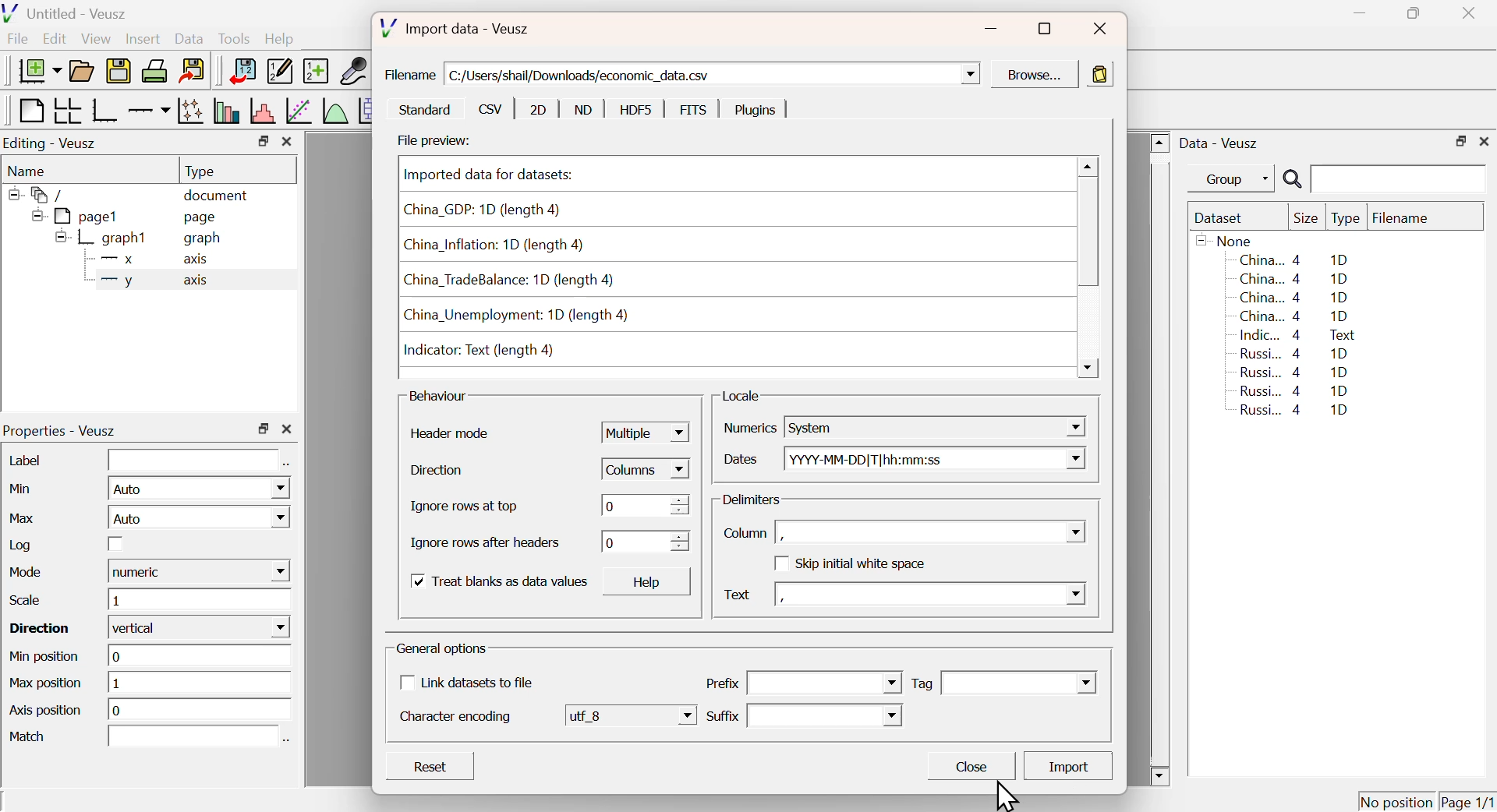  I want to click on Plot points with lines and errorbars, so click(192, 111).